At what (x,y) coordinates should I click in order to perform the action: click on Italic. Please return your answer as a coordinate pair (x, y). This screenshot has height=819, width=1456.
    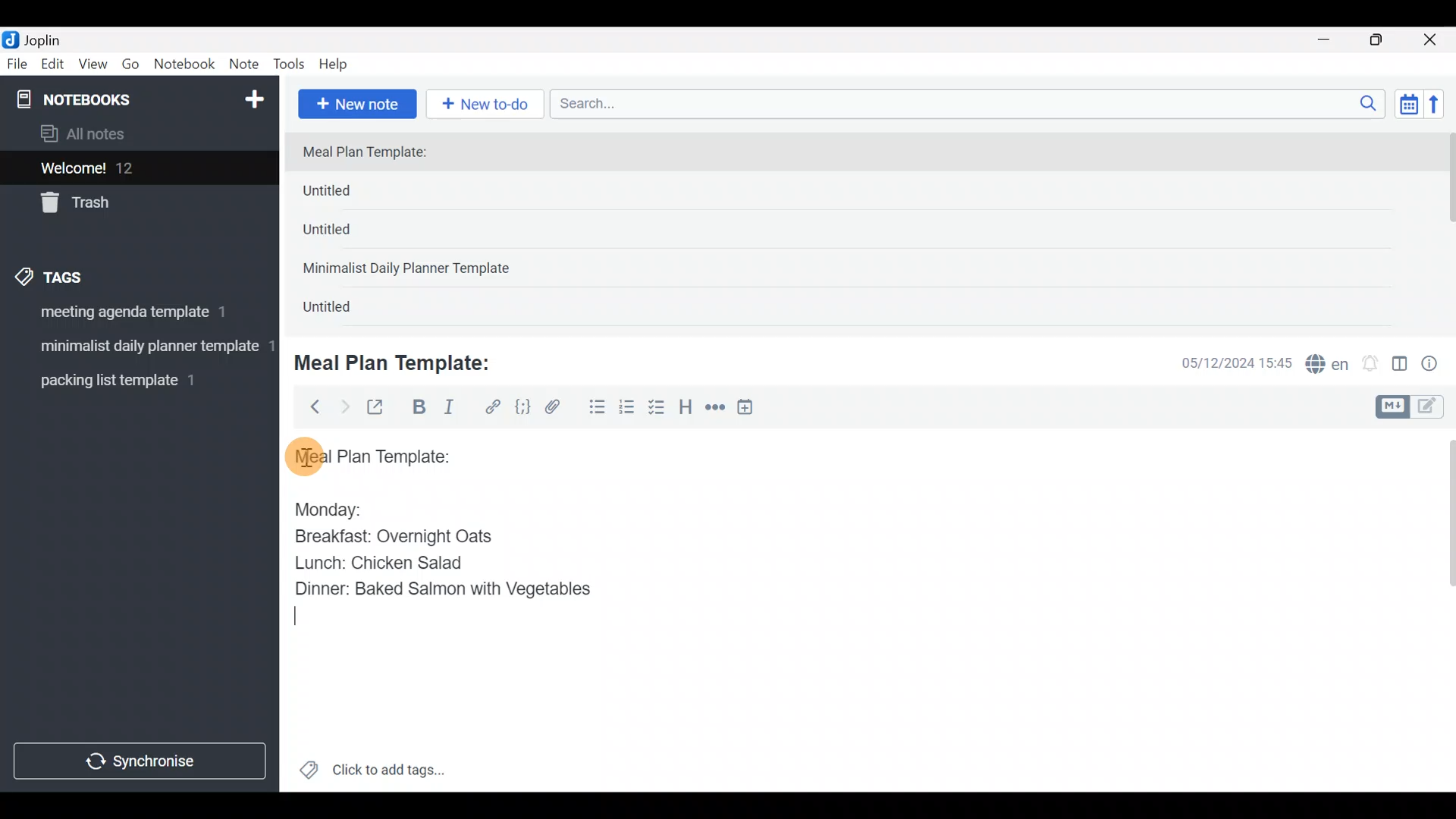
    Looking at the image, I should click on (447, 410).